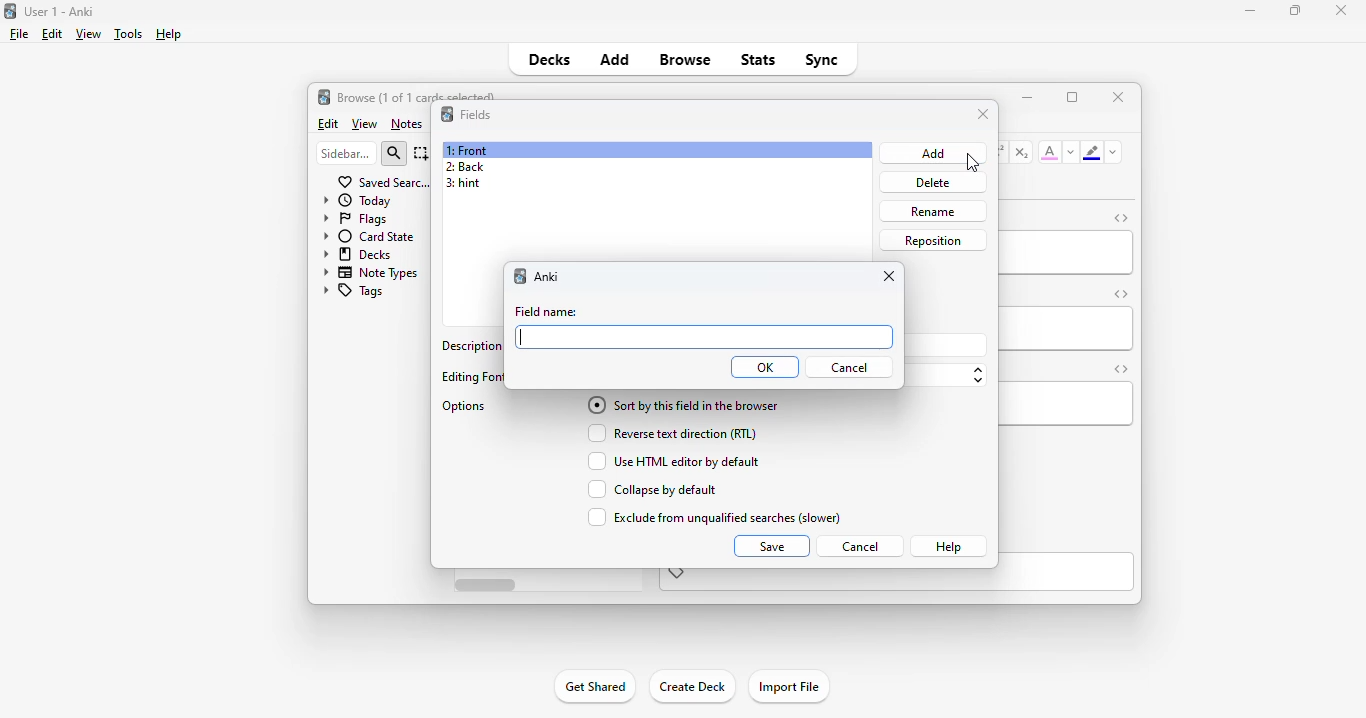  Describe the element at coordinates (651, 489) in the screenshot. I see `collapse by default` at that location.